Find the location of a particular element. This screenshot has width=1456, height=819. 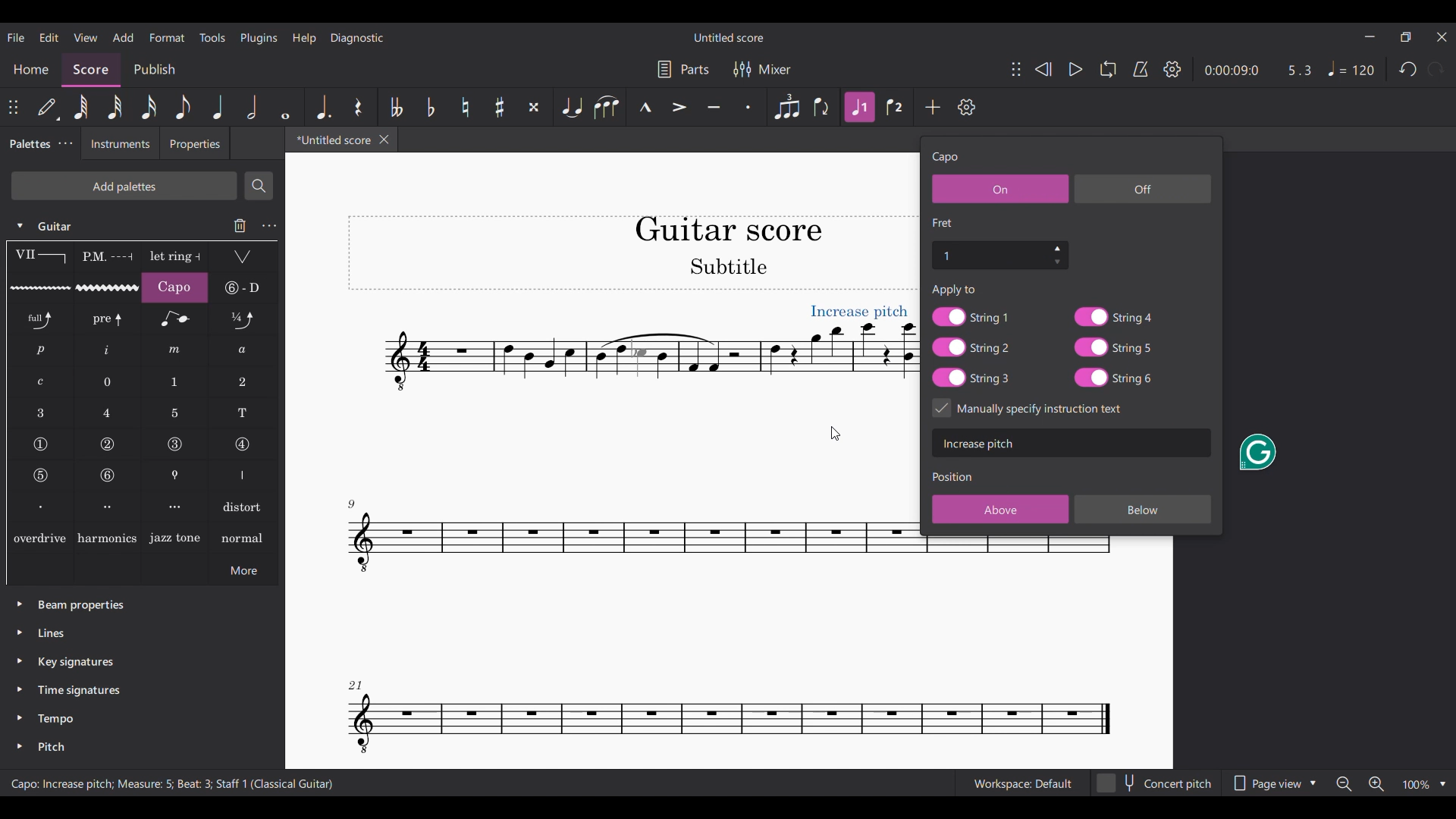

Current tab is located at coordinates (330, 140).